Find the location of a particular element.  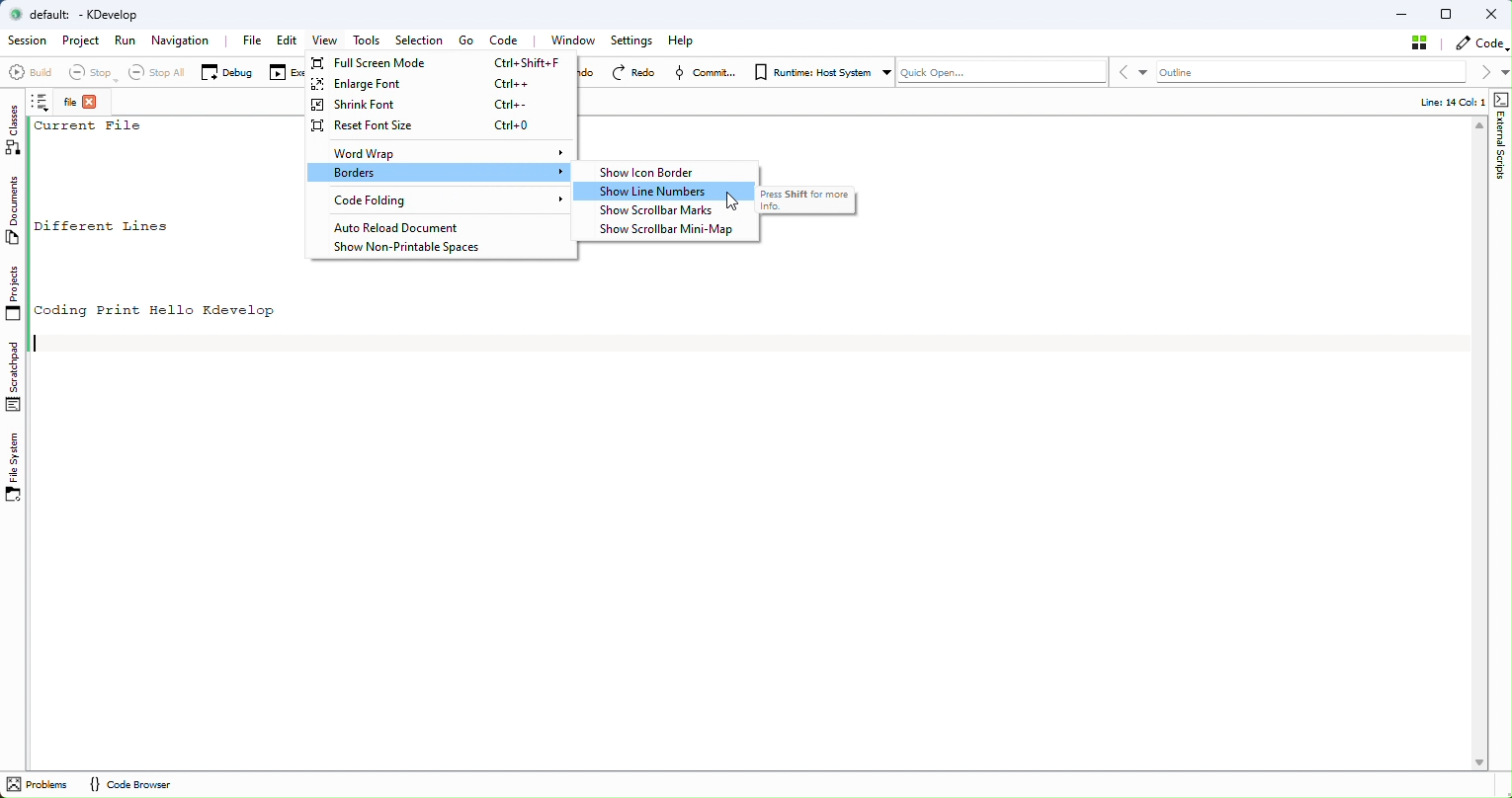

Close is located at coordinates (1492, 14).